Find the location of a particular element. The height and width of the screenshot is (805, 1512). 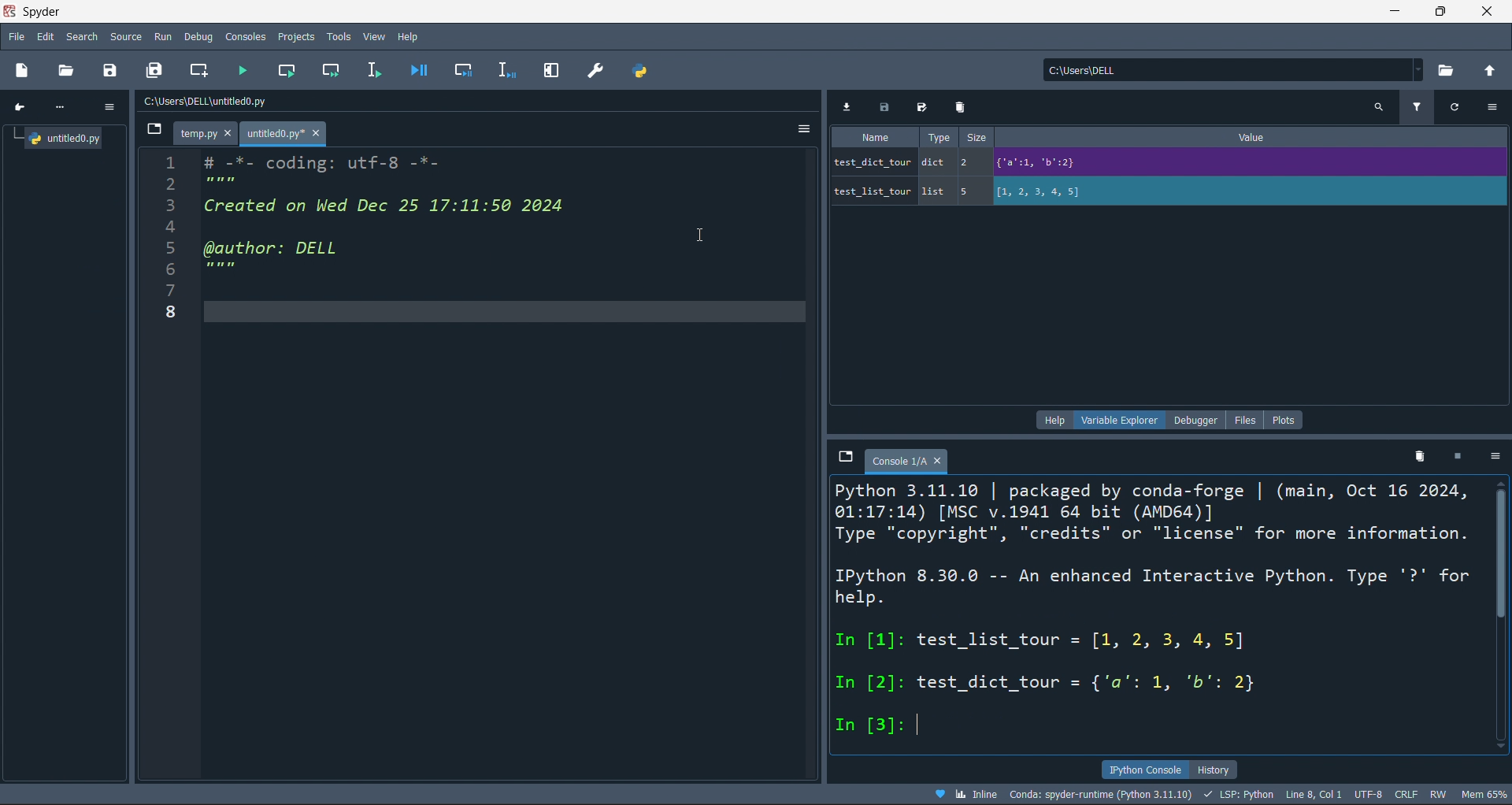

edit is located at coordinates (44, 35).